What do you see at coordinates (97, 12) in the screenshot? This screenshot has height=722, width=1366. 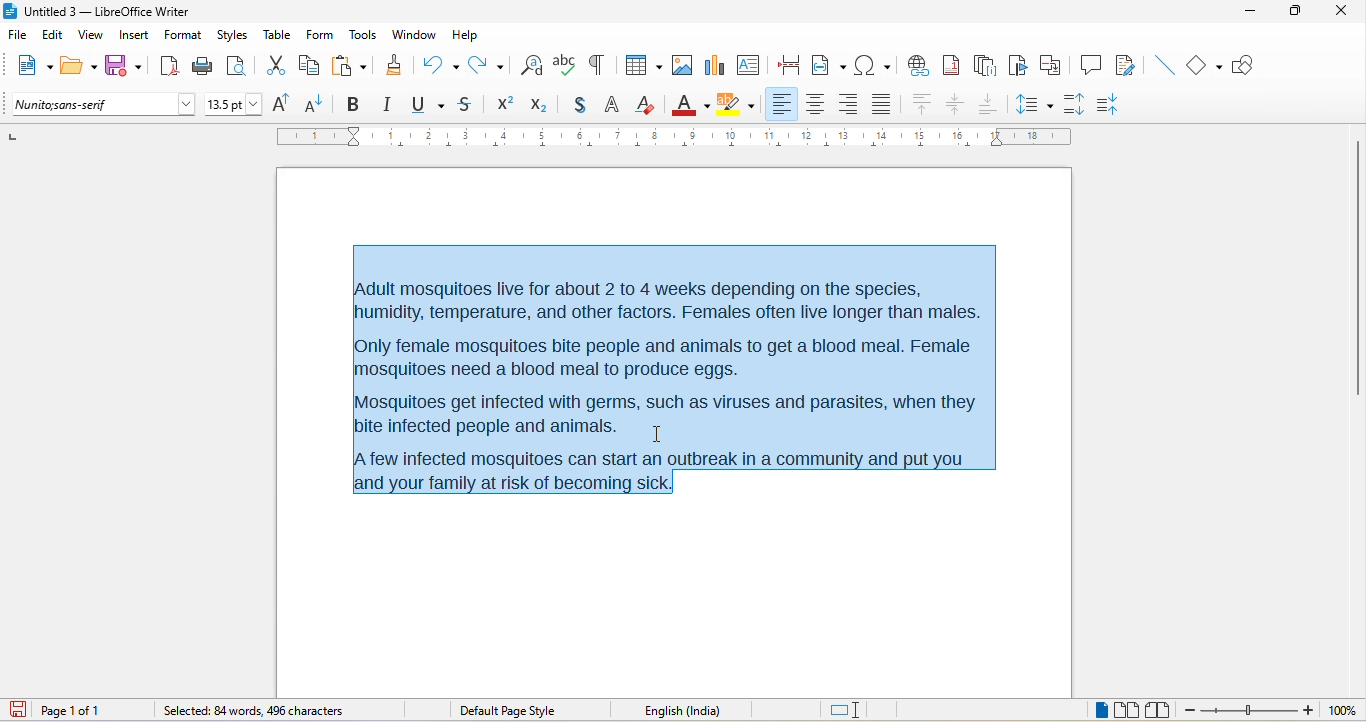 I see `title` at bounding box center [97, 12].